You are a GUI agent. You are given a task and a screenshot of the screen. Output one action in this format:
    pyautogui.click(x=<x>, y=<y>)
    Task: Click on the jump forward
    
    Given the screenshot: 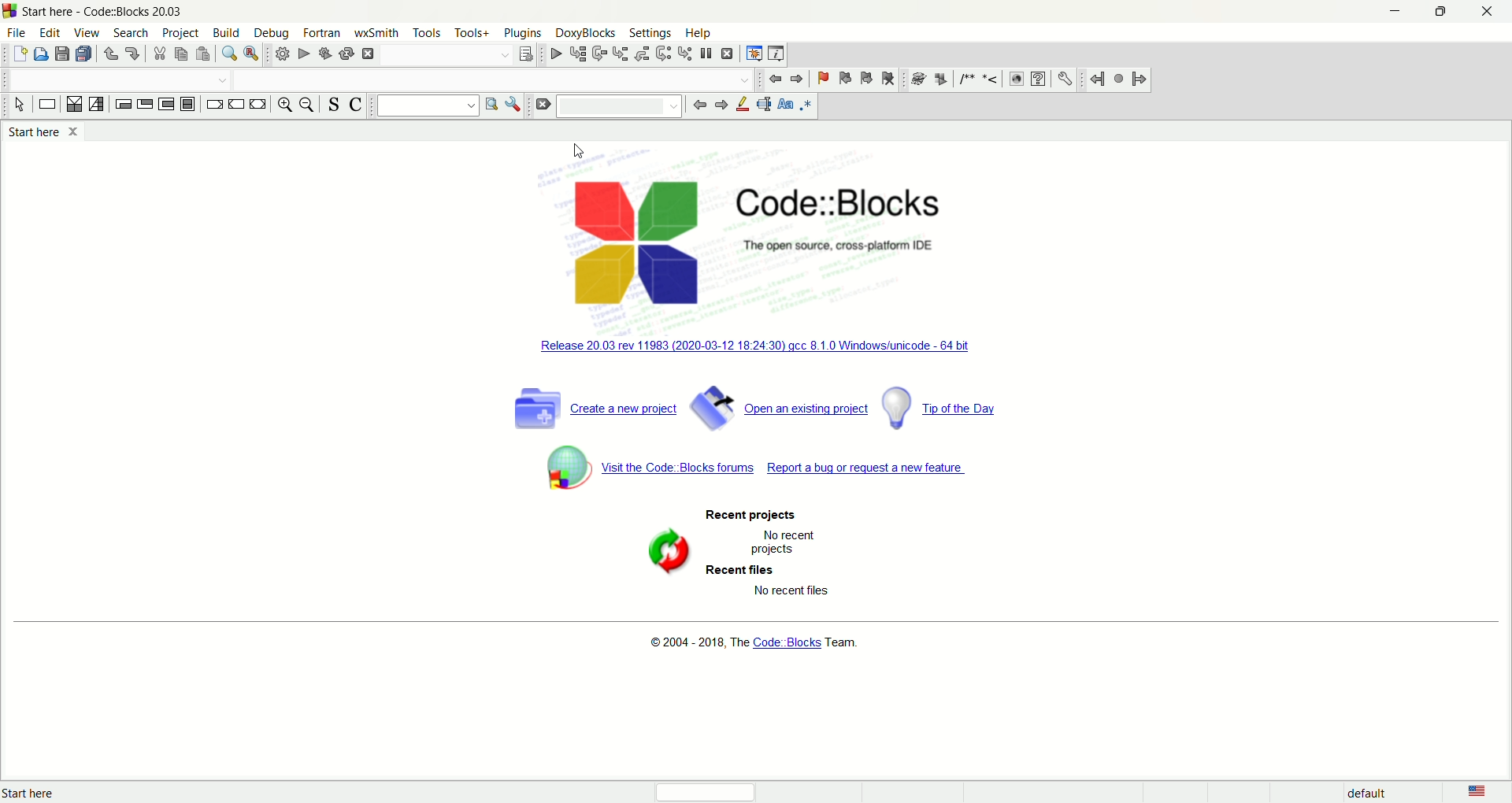 What is the action you would take?
    pyautogui.click(x=1138, y=78)
    